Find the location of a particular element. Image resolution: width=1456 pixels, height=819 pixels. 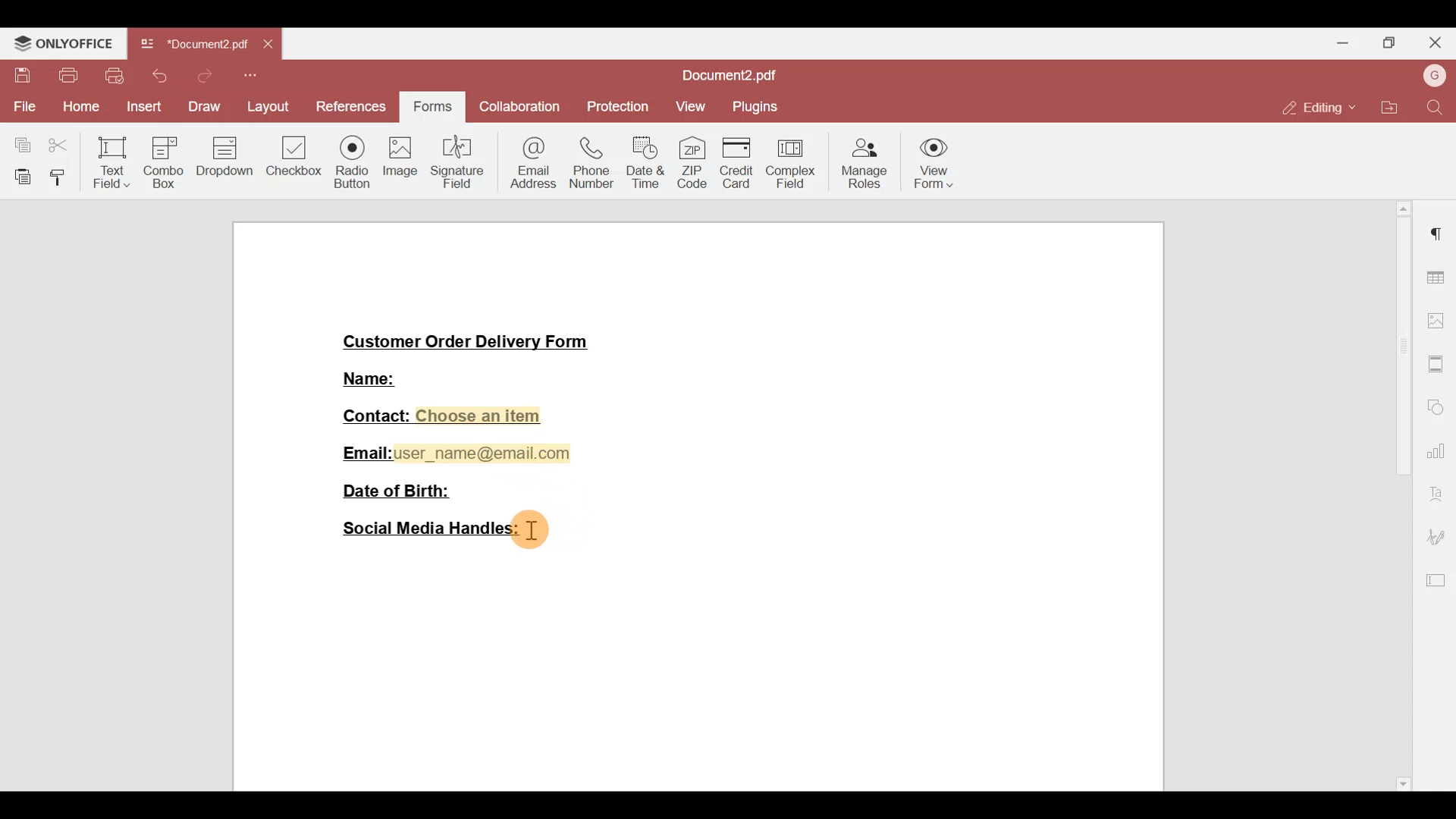

Copy is located at coordinates (17, 142).